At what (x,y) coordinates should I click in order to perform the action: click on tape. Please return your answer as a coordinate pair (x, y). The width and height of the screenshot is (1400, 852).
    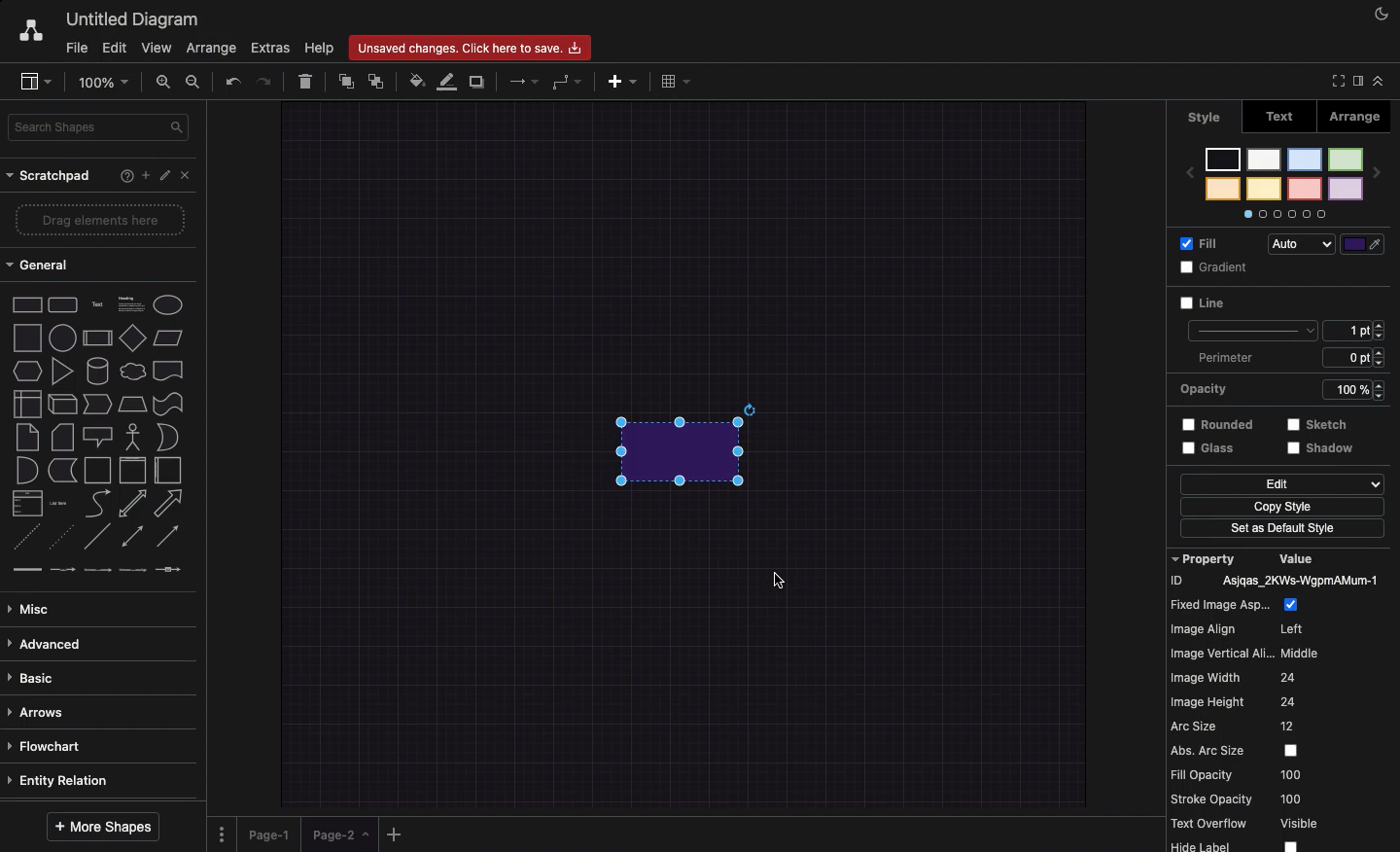
    Looking at the image, I should click on (166, 404).